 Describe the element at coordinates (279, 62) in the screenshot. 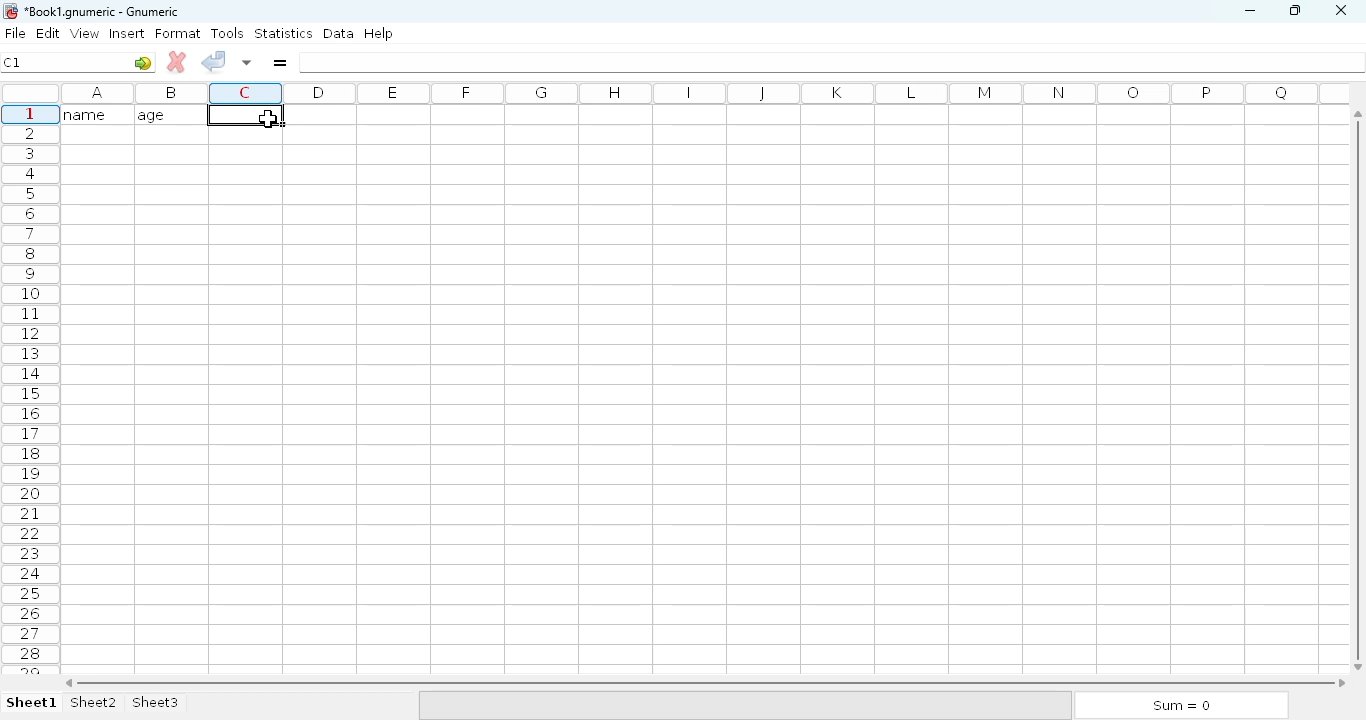

I see `enter formula` at that location.